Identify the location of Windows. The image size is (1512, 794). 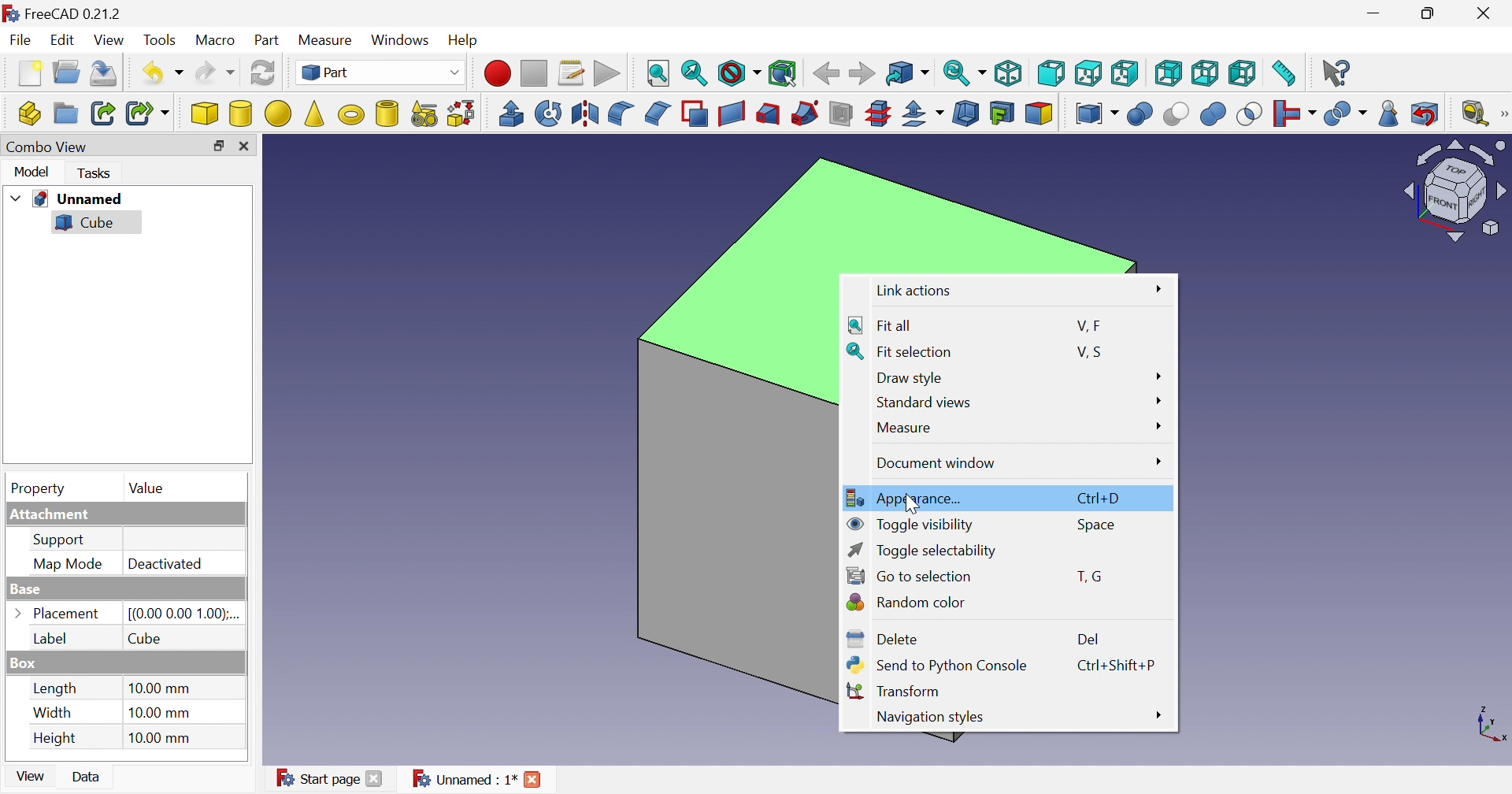
(402, 39).